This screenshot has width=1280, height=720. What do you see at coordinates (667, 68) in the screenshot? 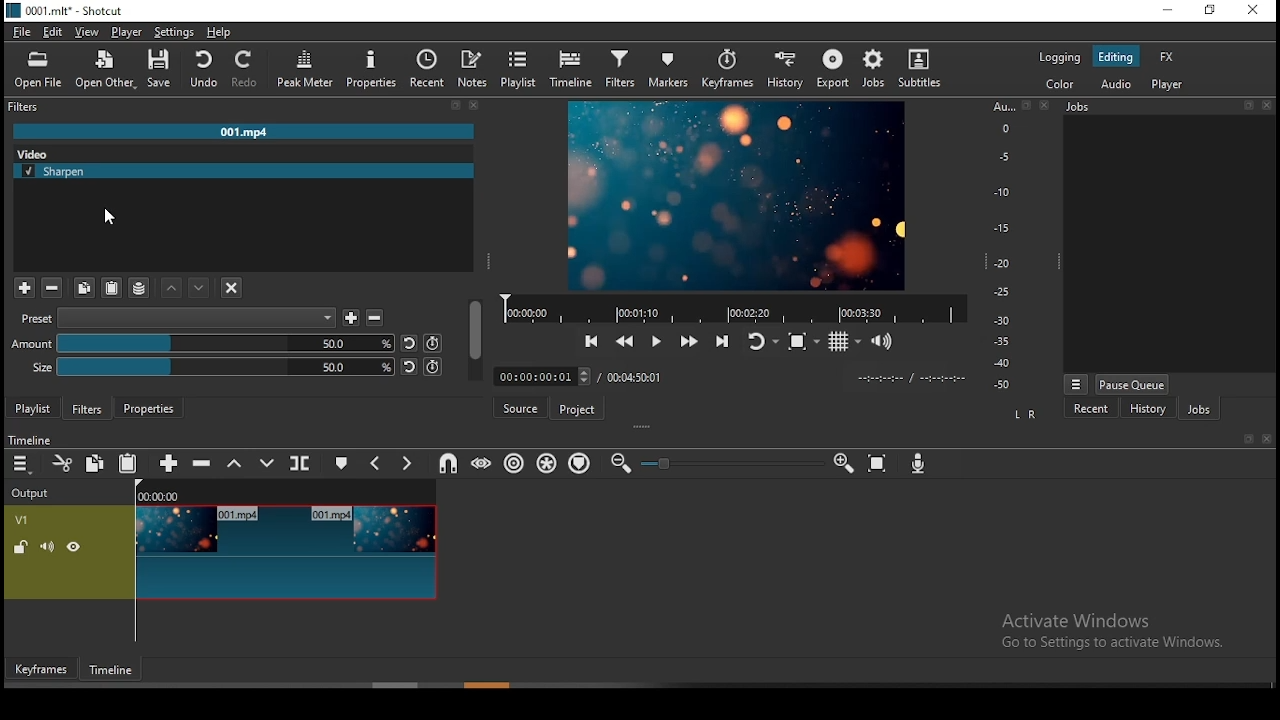
I see `markers` at bounding box center [667, 68].